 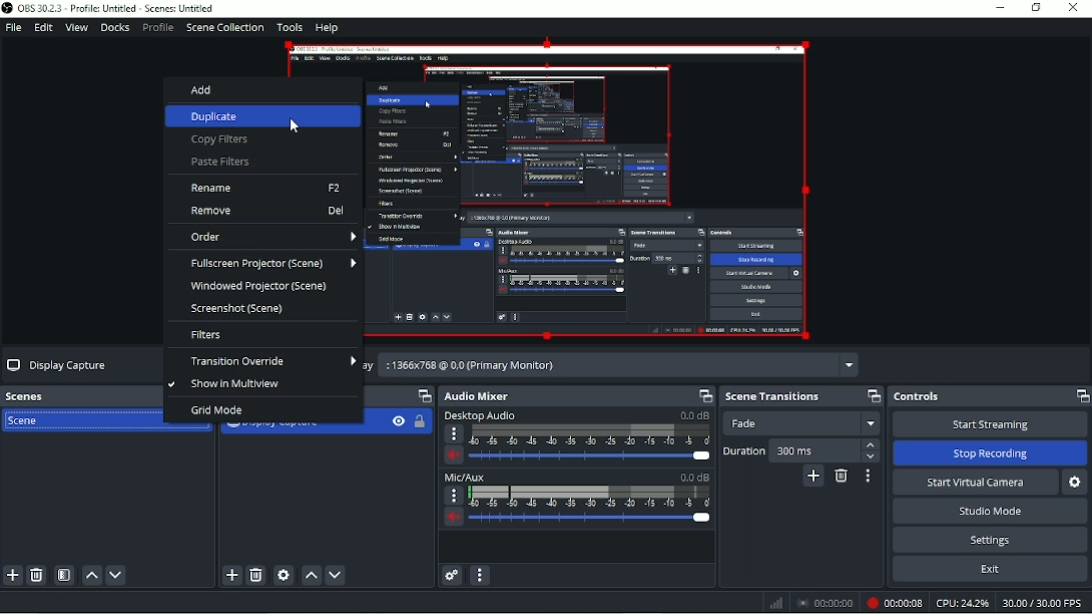 What do you see at coordinates (12, 576) in the screenshot?
I see `Add scene` at bounding box center [12, 576].